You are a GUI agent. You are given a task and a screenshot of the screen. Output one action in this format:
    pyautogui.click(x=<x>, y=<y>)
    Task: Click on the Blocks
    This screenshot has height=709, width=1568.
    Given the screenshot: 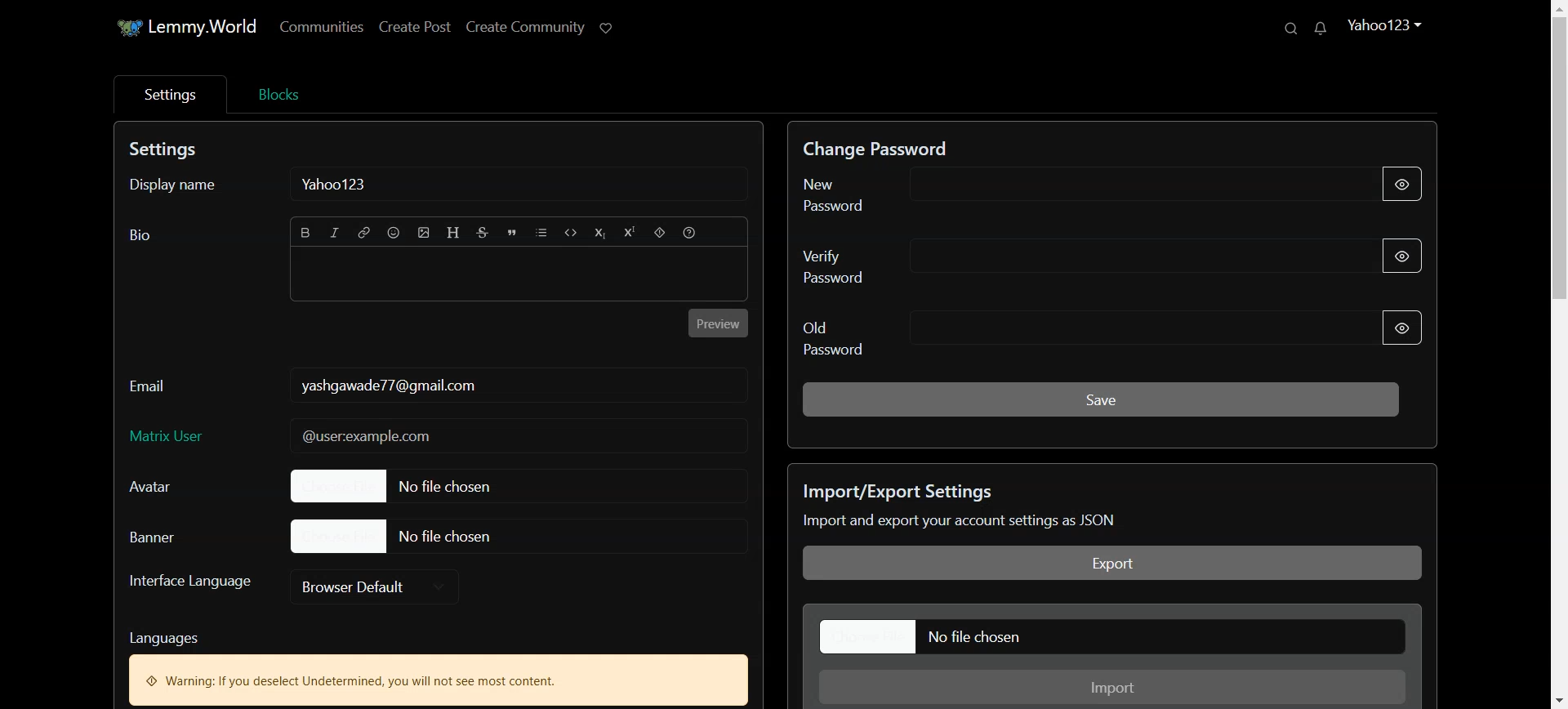 What is the action you would take?
    pyautogui.click(x=278, y=92)
    